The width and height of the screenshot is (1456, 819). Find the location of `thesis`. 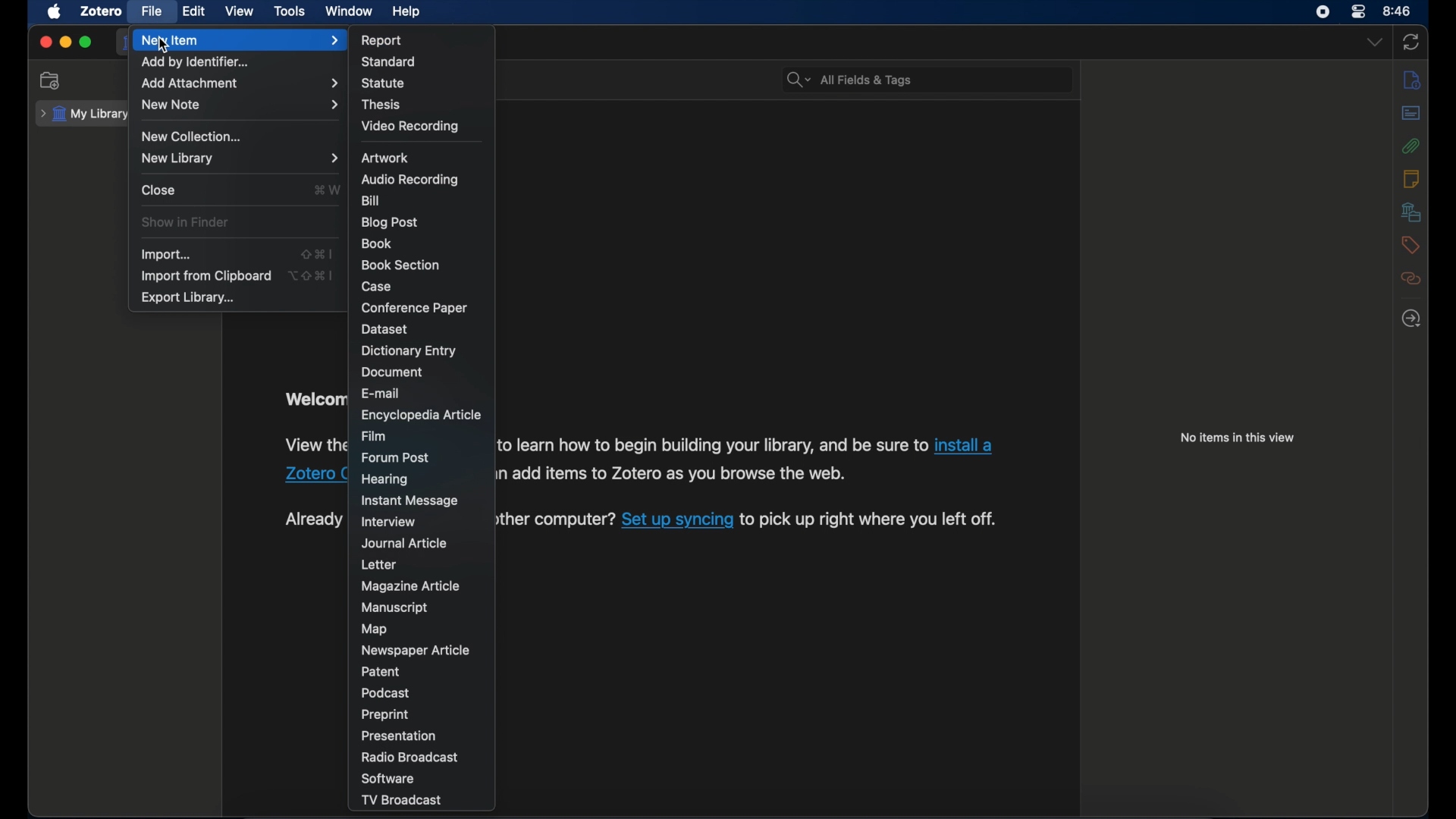

thesis is located at coordinates (381, 105).